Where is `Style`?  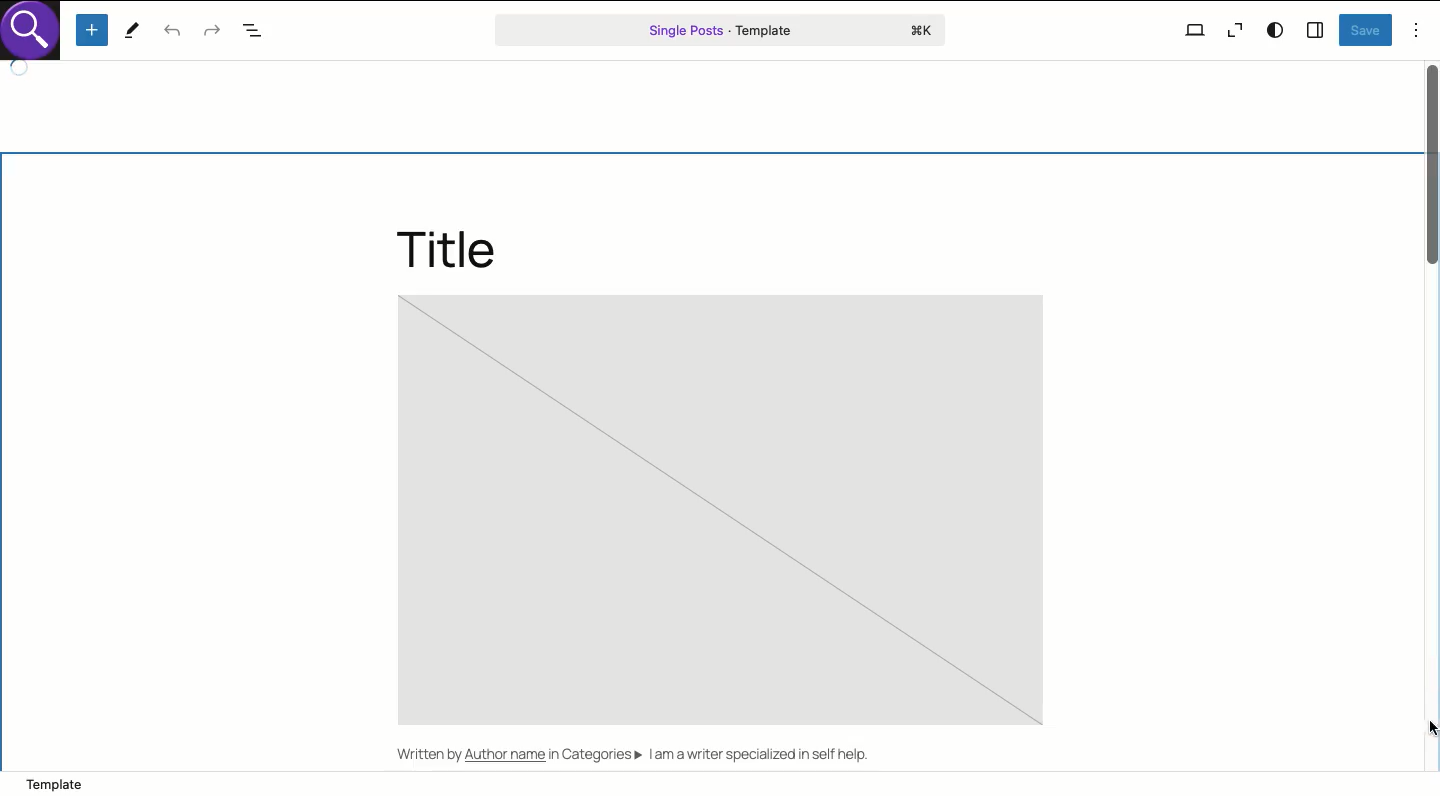 Style is located at coordinates (1277, 30).